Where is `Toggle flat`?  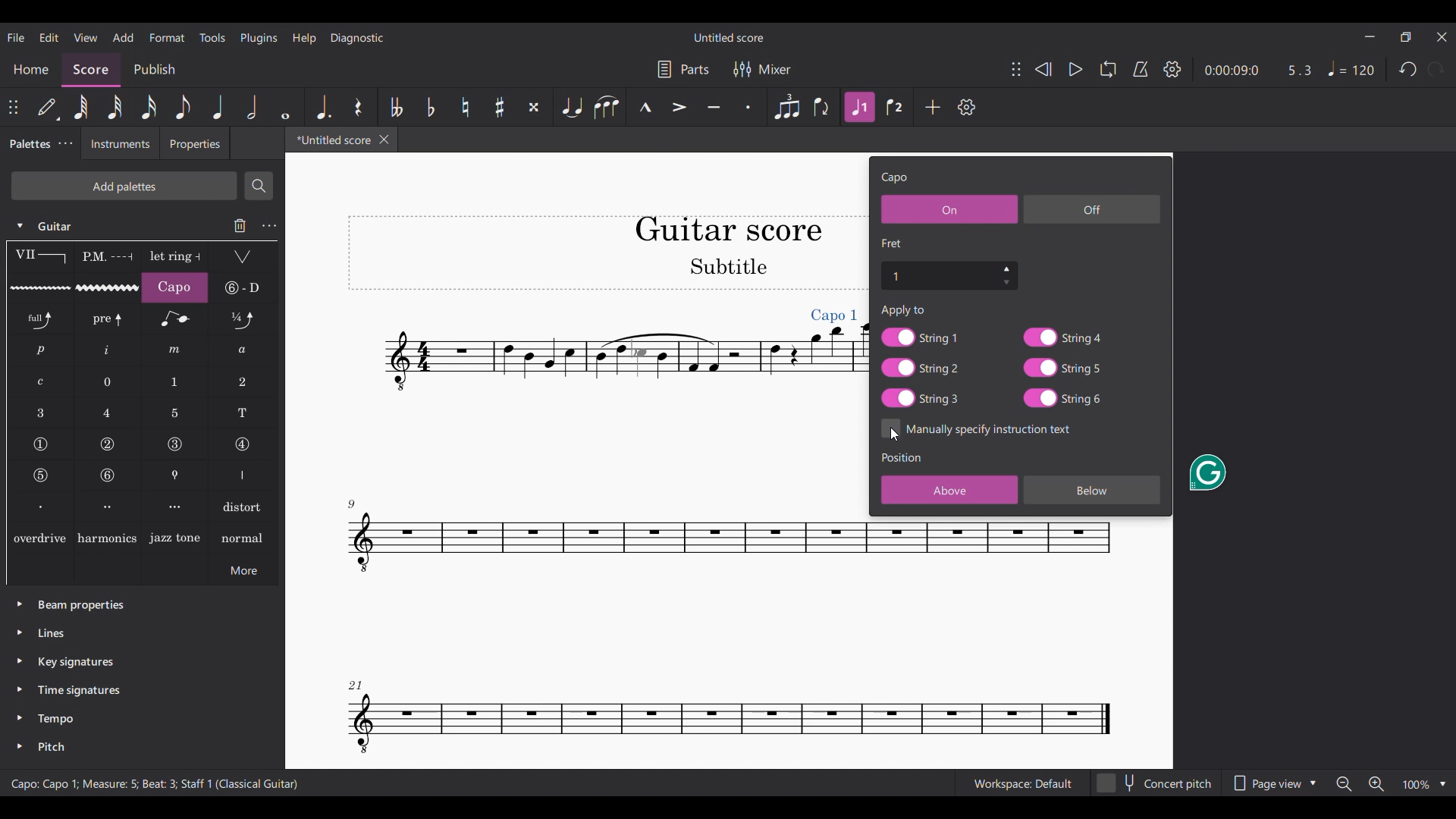 Toggle flat is located at coordinates (430, 107).